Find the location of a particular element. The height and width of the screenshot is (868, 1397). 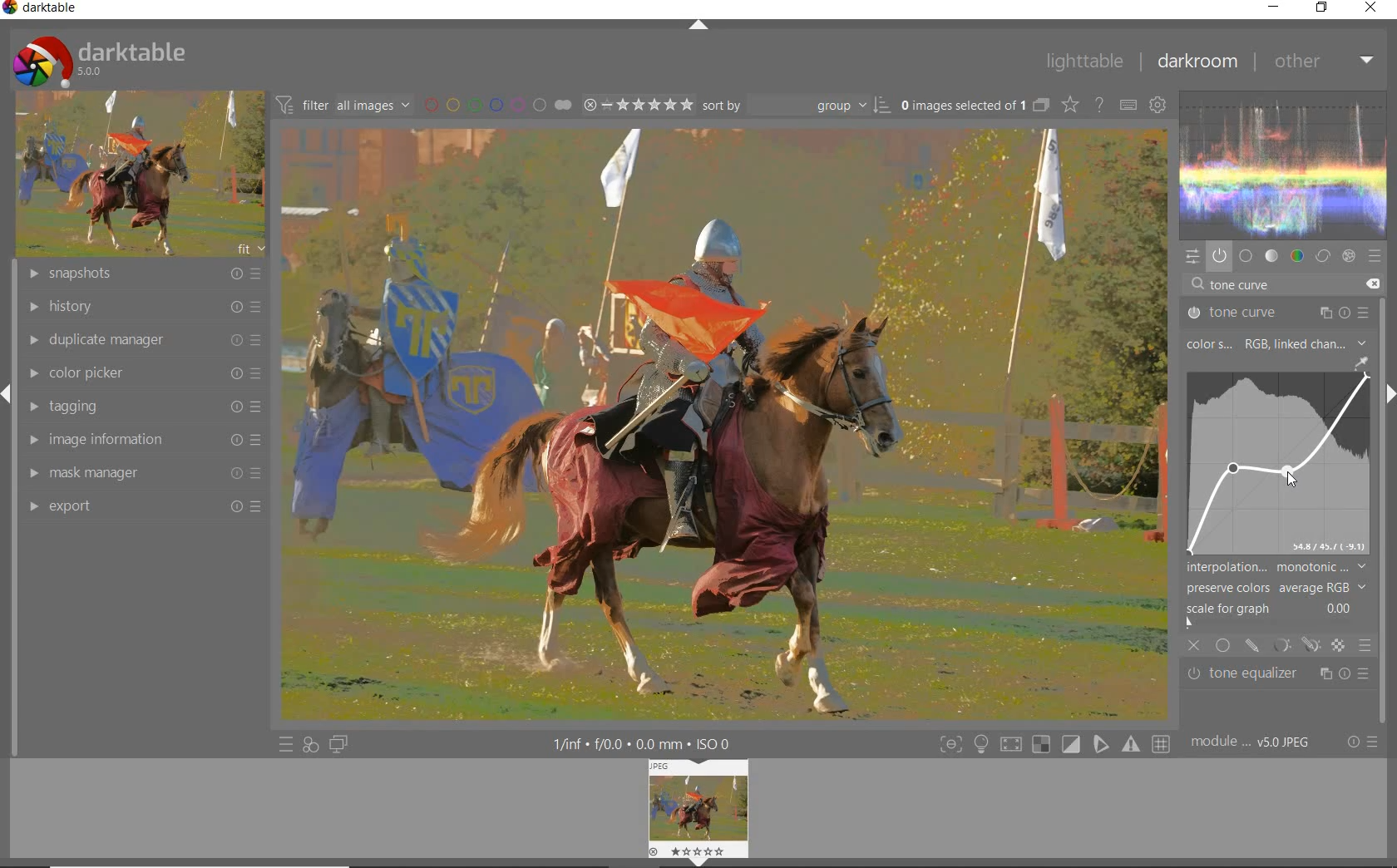

interpolation is located at coordinates (1276, 567).